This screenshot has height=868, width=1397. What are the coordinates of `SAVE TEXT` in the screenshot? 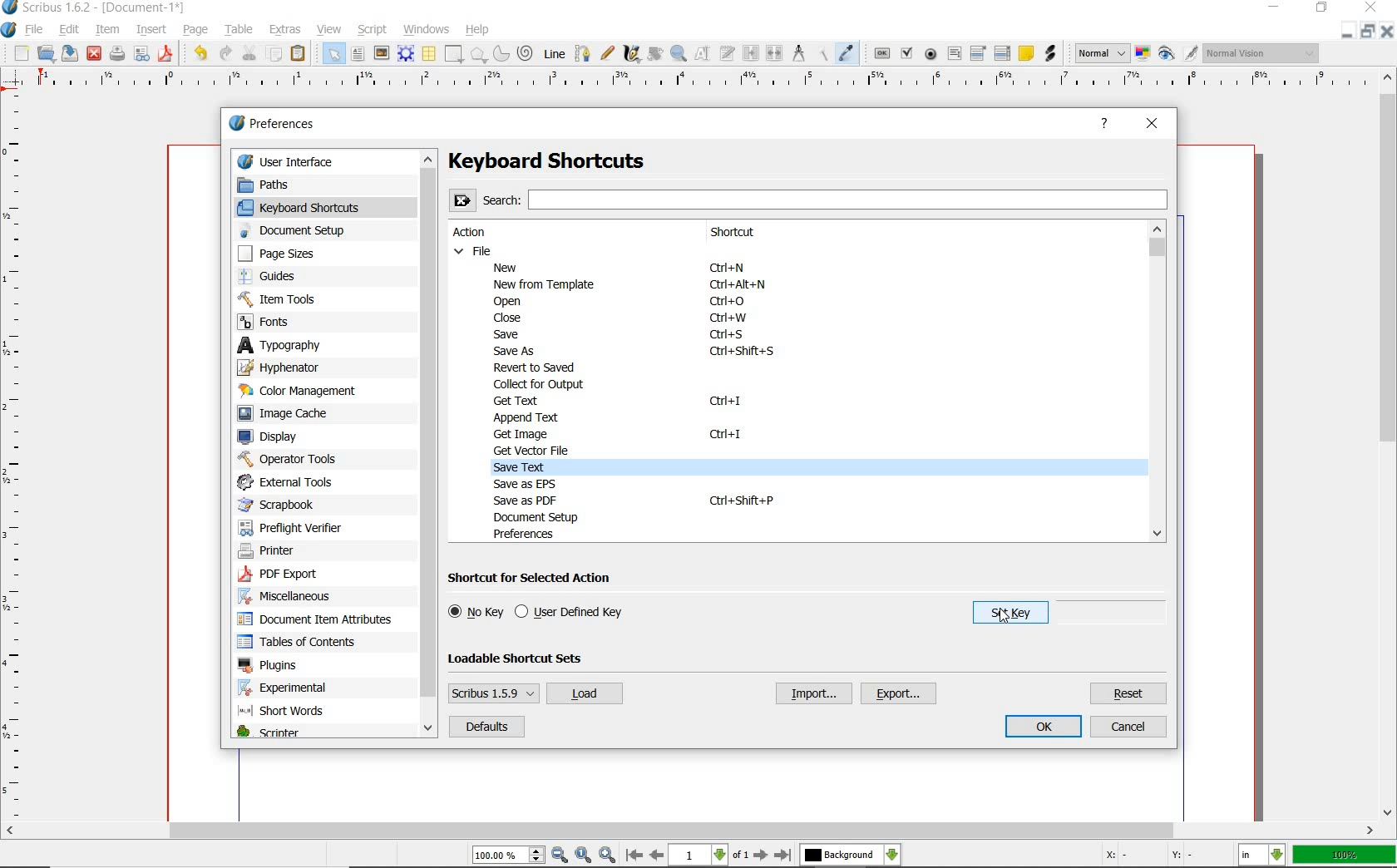 It's located at (531, 467).